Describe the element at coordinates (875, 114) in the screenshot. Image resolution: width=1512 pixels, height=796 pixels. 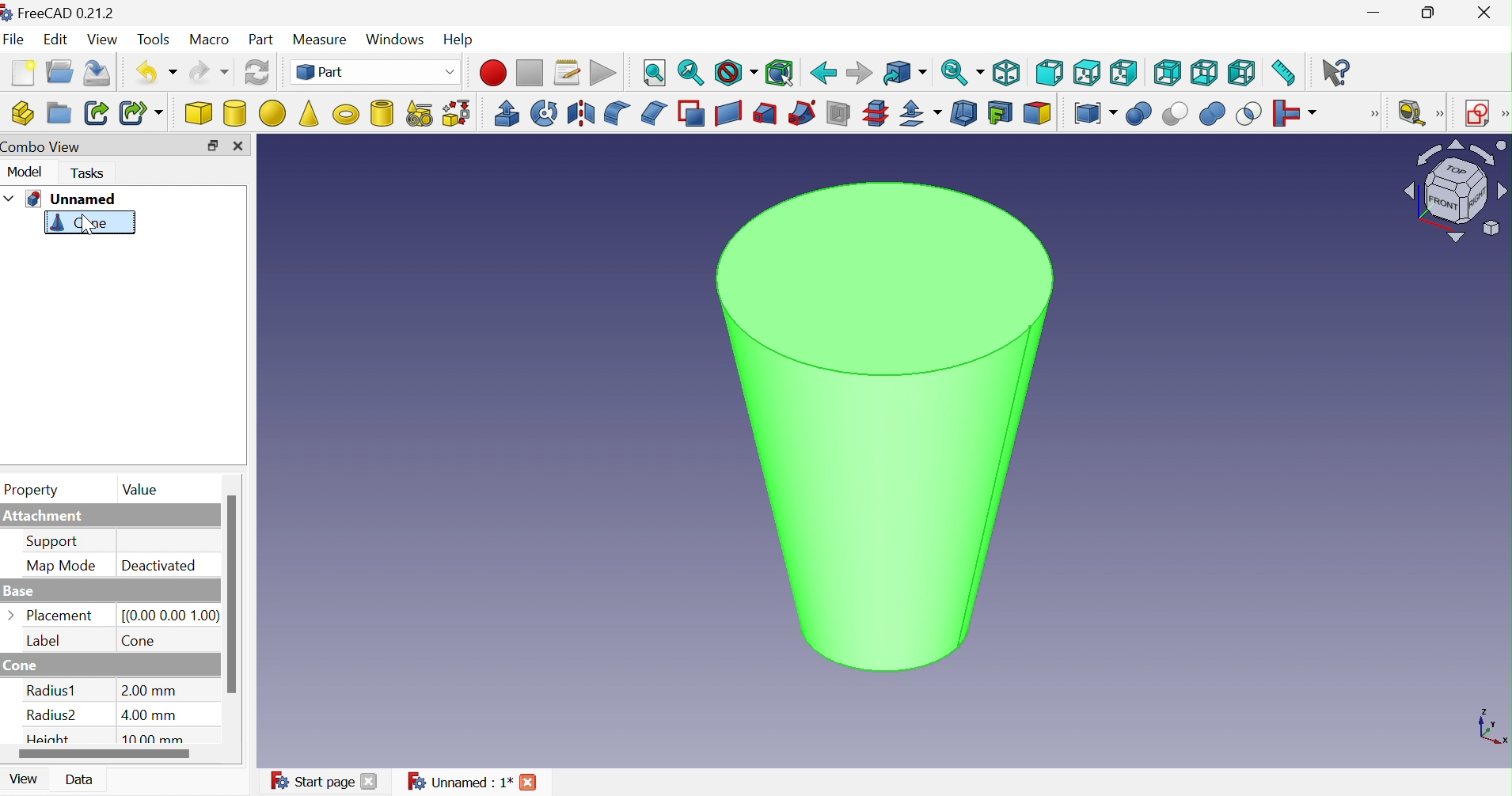
I see `Sub-sections` at that location.